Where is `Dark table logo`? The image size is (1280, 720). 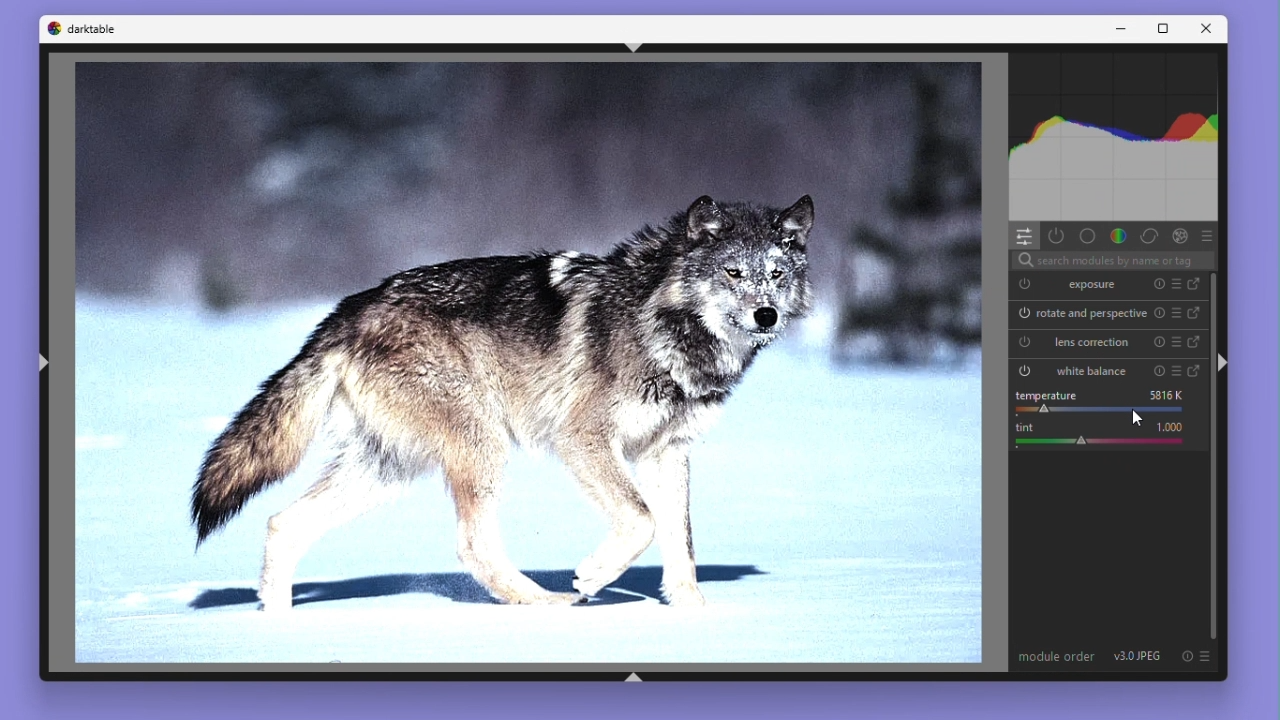
Dark table logo is located at coordinates (84, 31).